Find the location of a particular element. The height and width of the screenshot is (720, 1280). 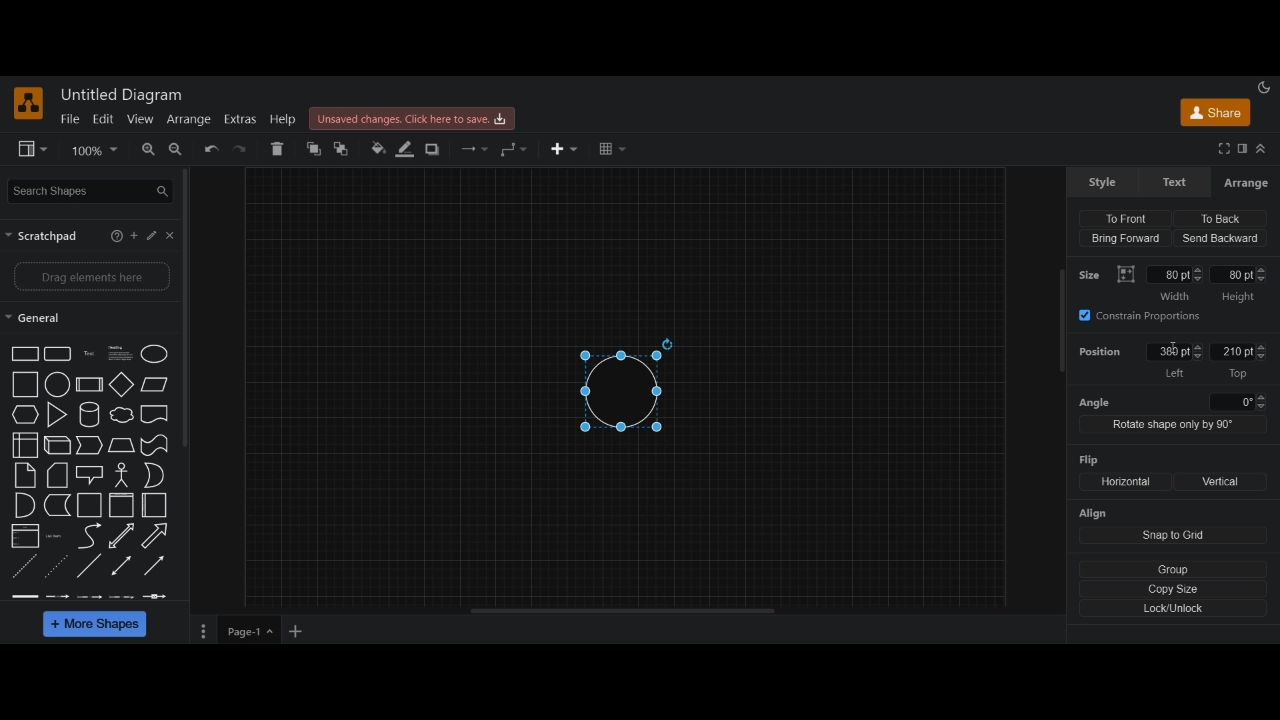

free shape is located at coordinates (122, 416).